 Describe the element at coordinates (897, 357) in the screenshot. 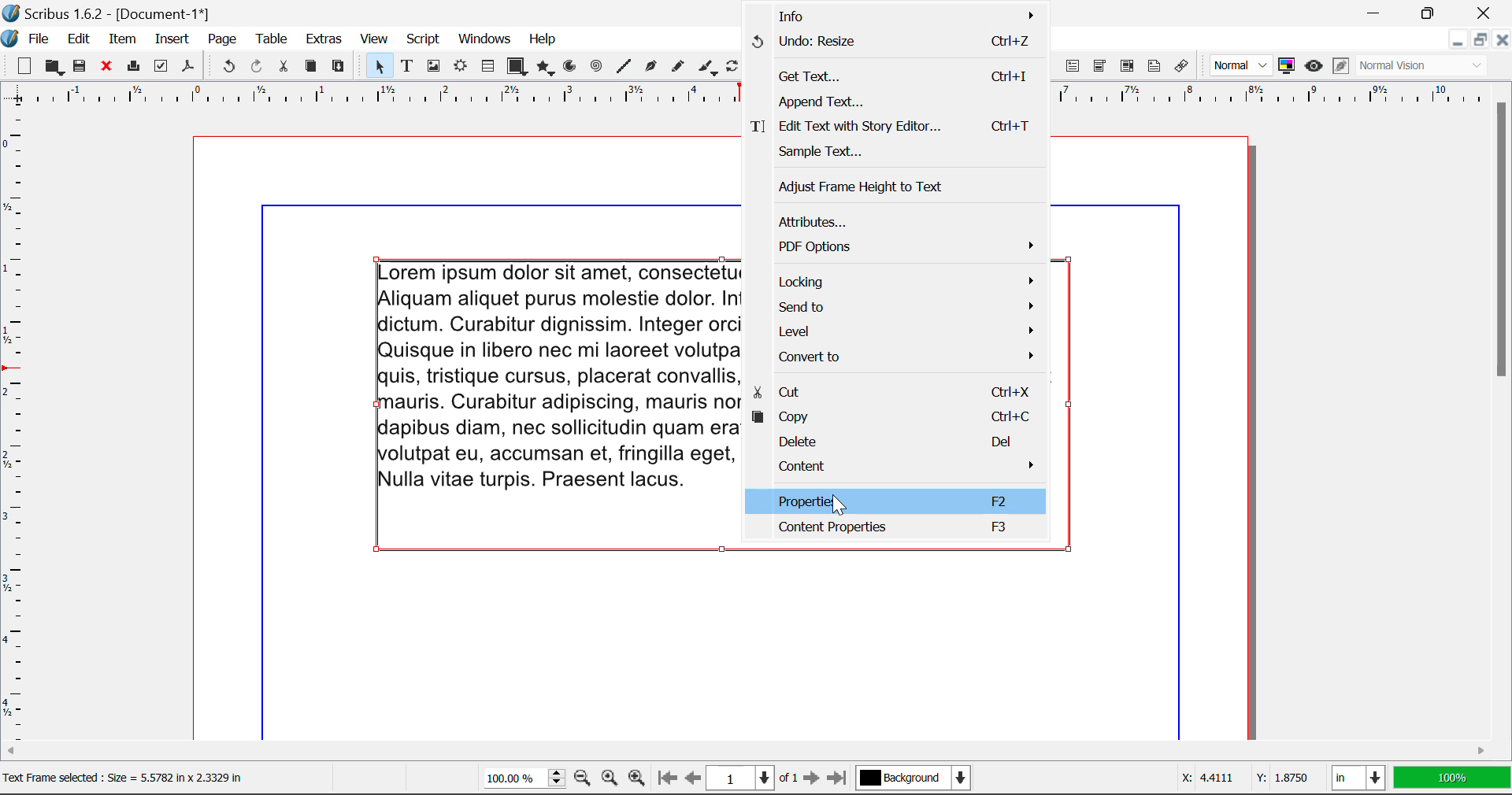

I see `Convert to` at that location.